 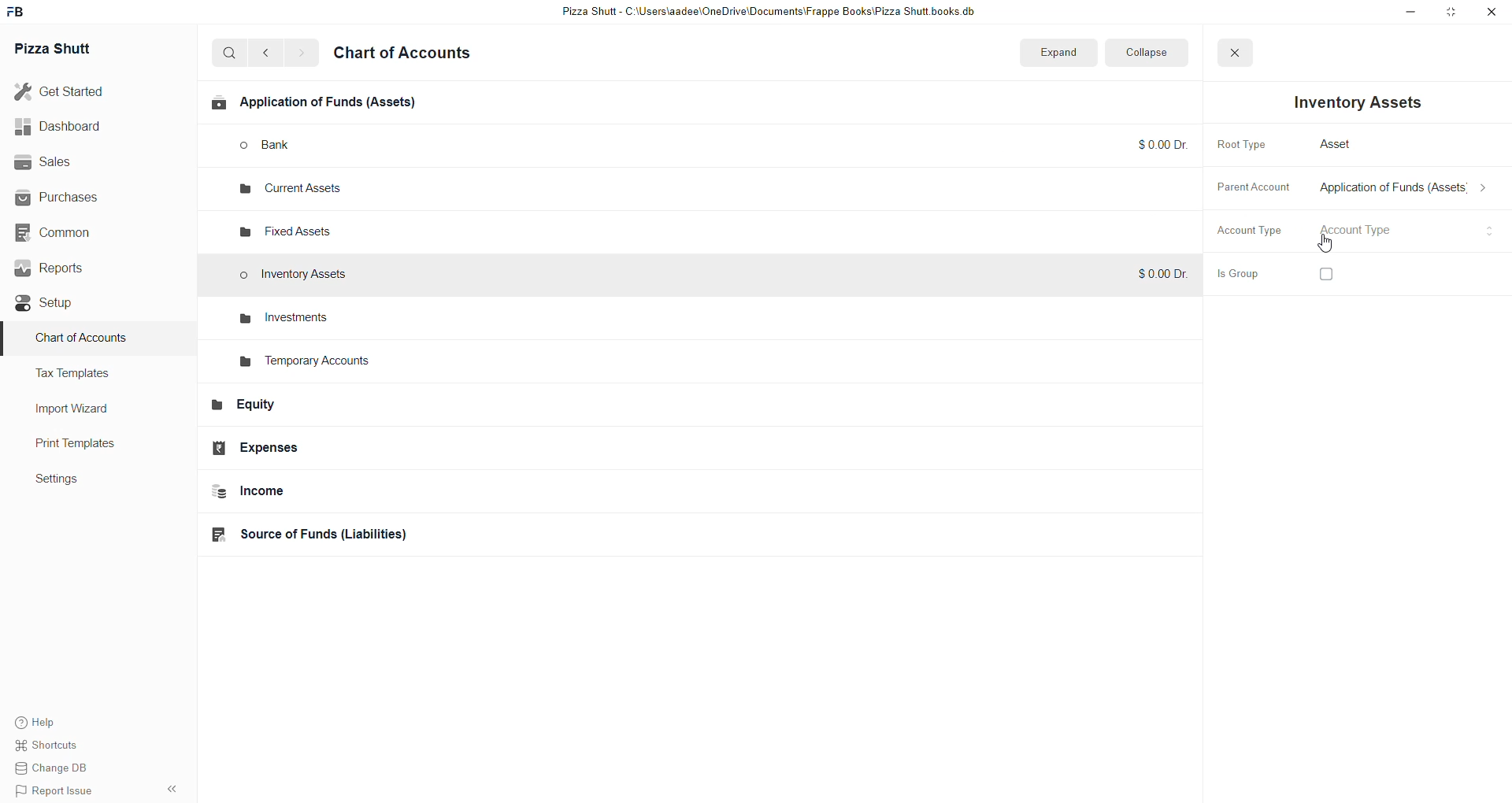 I want to click on Inventory Assets, so click(x=300, y=276).